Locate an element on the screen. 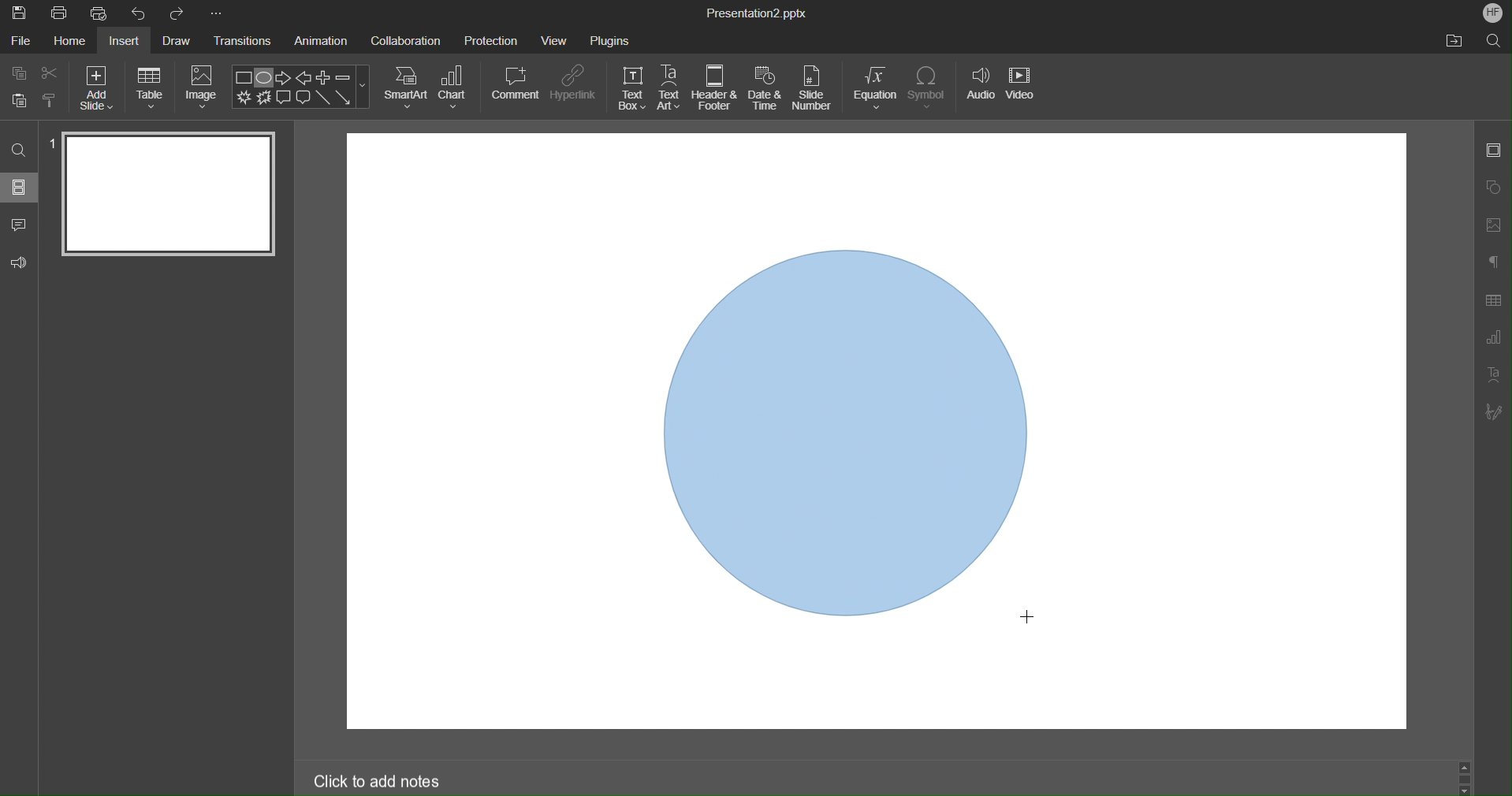 This screenshot has height=796, width=1512. Add Size is located at coordinates (96, 87).